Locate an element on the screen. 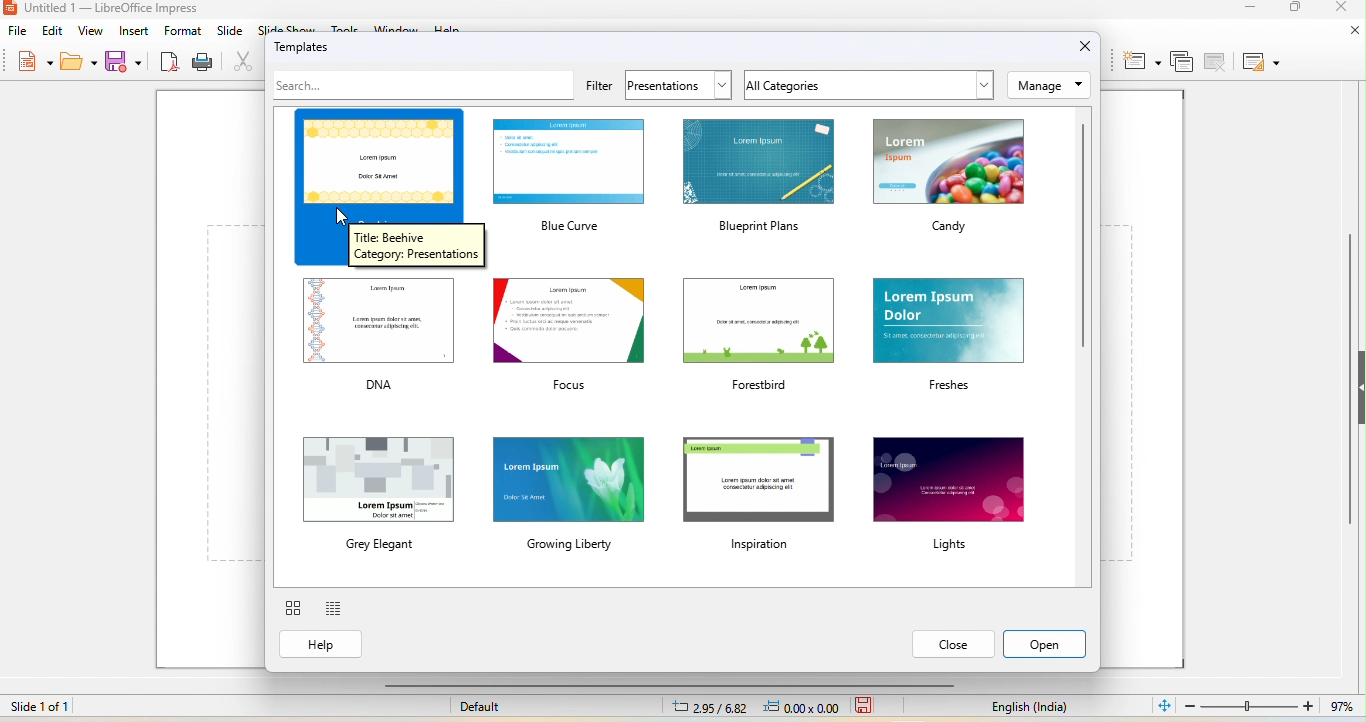 Image resolution: width=1366 pixels, height=722 pixels. slideshow is located at coordinates (286, 28).